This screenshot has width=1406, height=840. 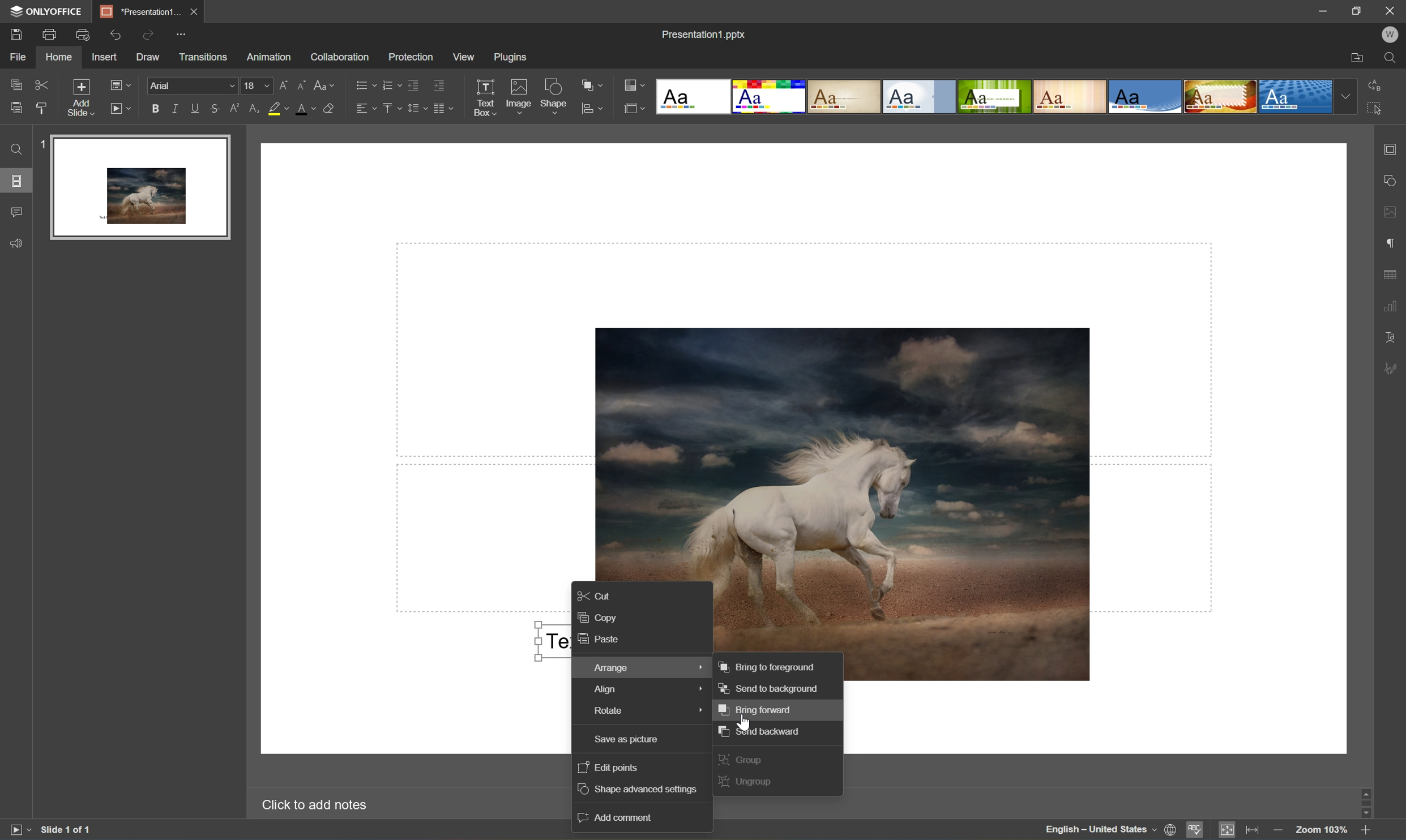 What do you see at coordinates (340, 59) in the screenshot?
I see `Collaboration` at bounding box center [340, 59].